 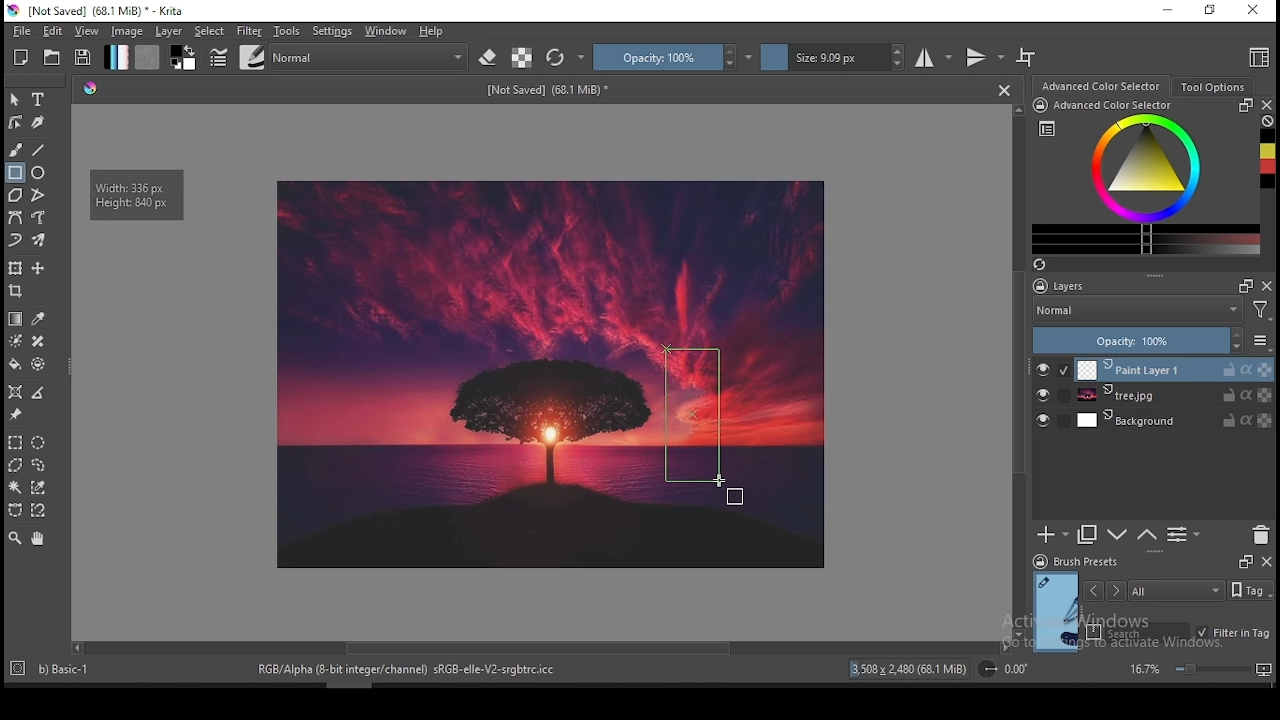 I want to click on filter, so click(x=249, y=30).